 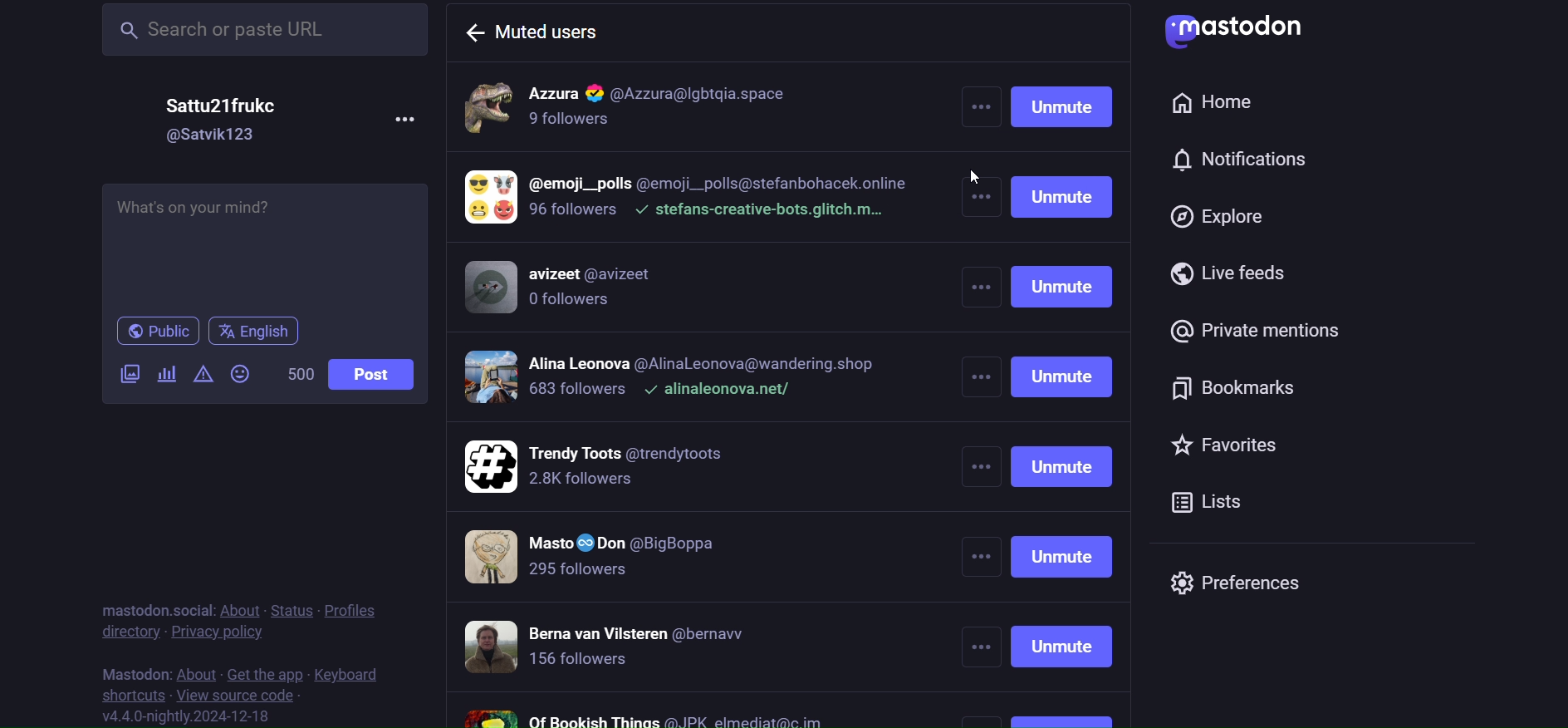 What do you see at coordinates (267, 32) in the screenshot?
I see `search` at bounding box center [267, 32].